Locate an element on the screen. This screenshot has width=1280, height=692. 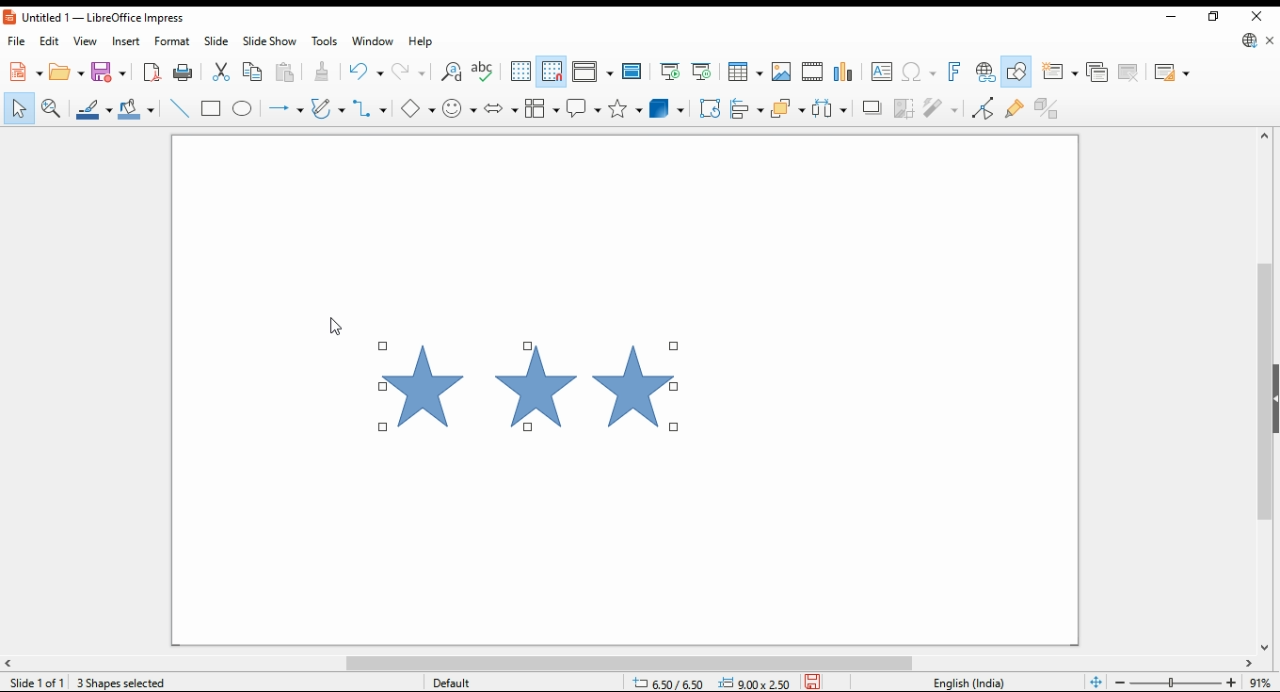
flowchart is located at coordinates (541, 108).